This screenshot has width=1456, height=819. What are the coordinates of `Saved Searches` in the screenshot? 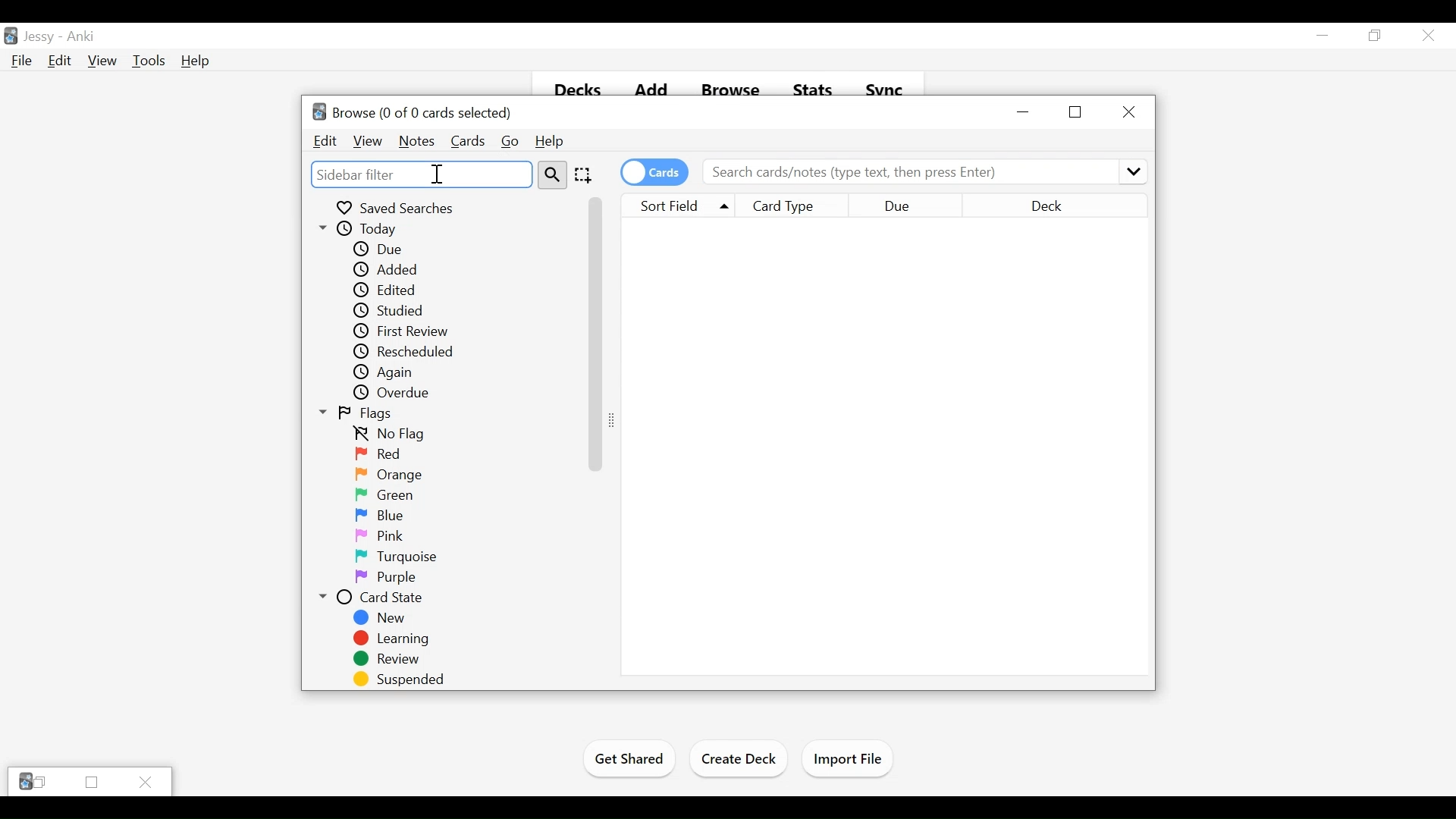 It's located at (395, 206).